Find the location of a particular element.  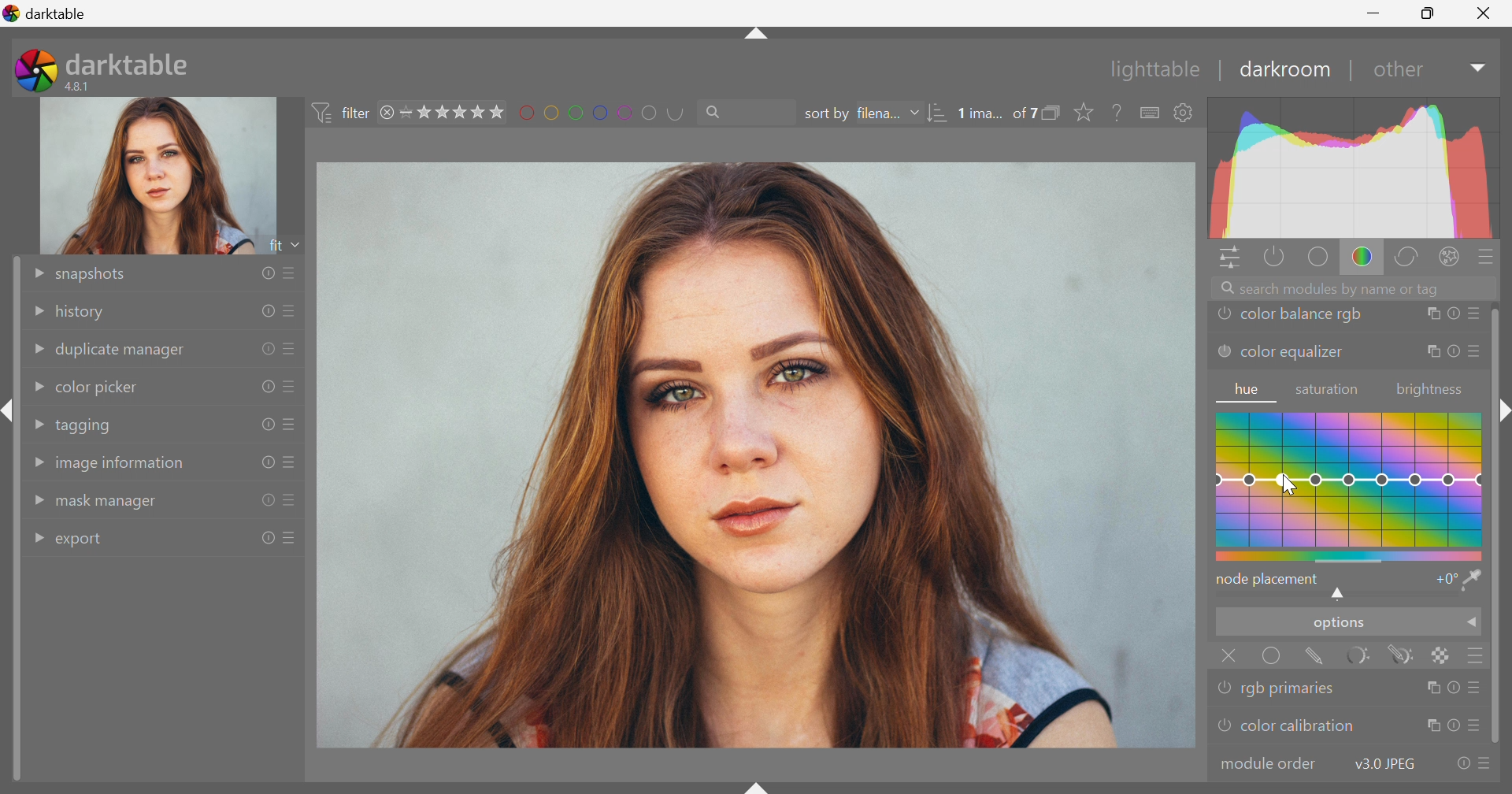

presets is located at coordinates (1478, 728).